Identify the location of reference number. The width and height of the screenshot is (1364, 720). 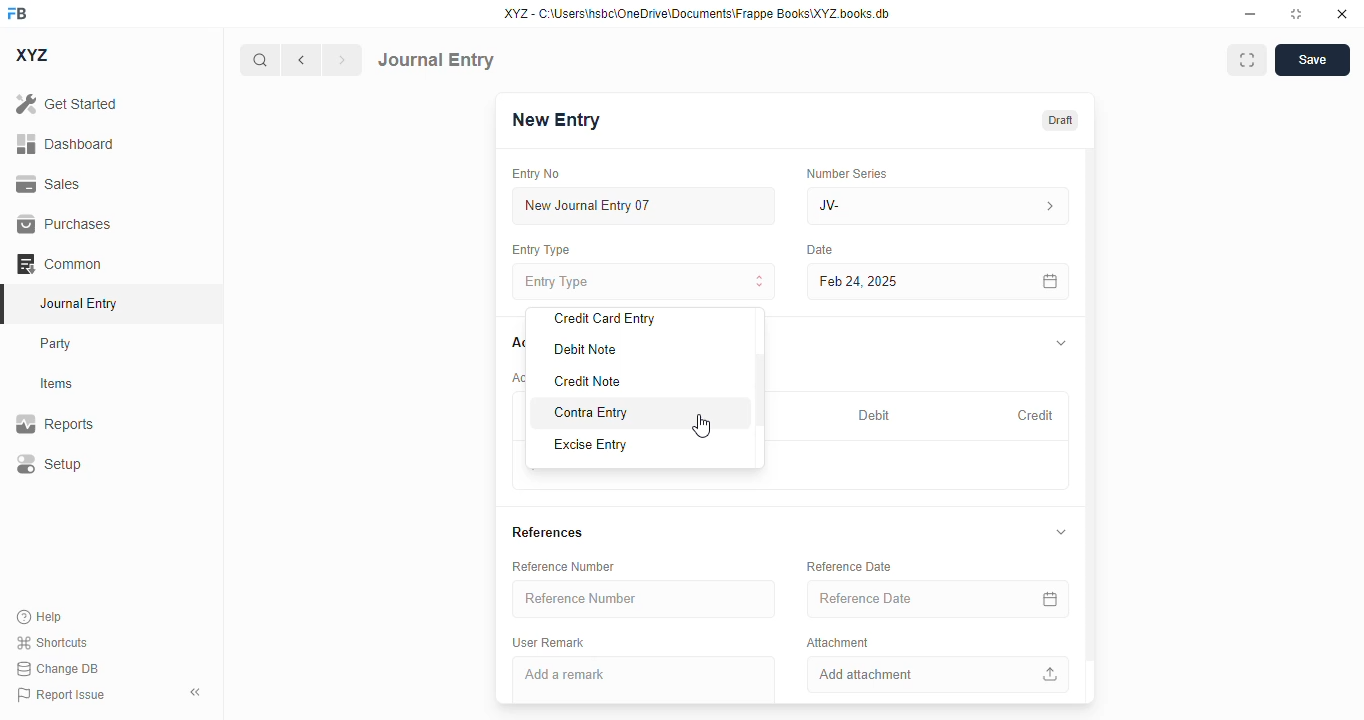
(645, 599).